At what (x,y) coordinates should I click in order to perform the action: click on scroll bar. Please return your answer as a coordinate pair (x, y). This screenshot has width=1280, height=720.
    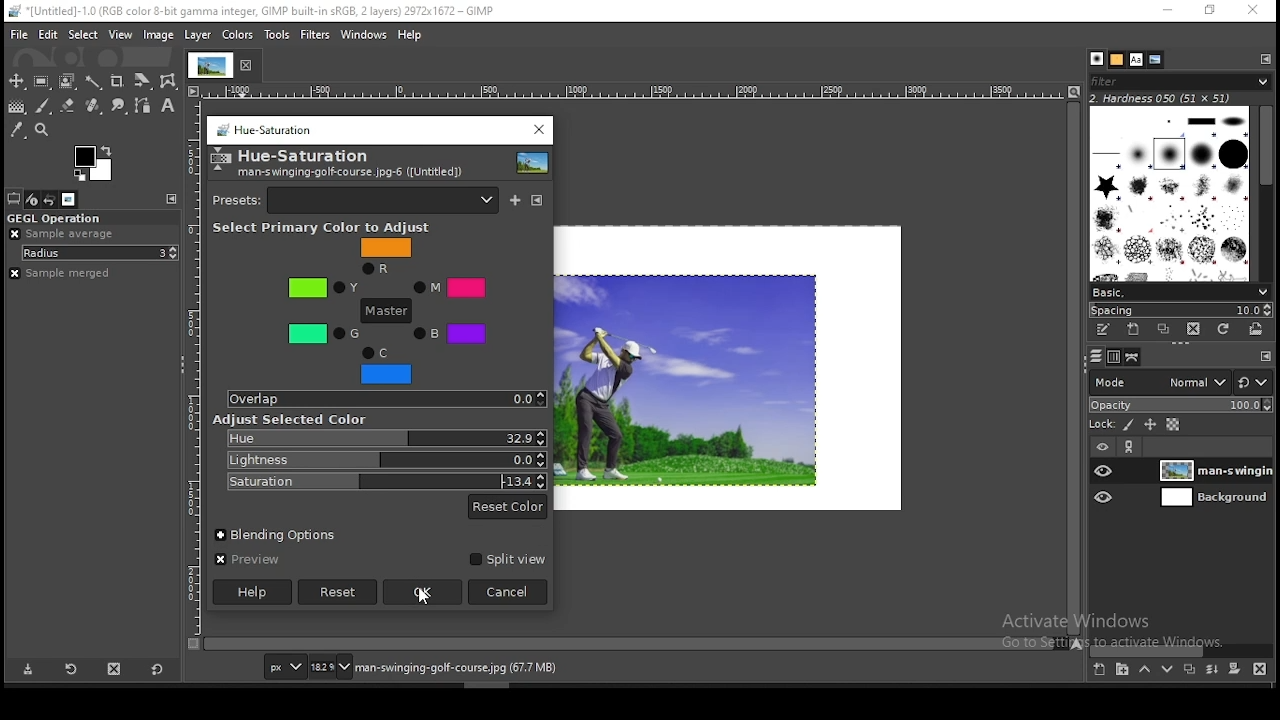
    Looking at the image, I should click on (1266, 193).